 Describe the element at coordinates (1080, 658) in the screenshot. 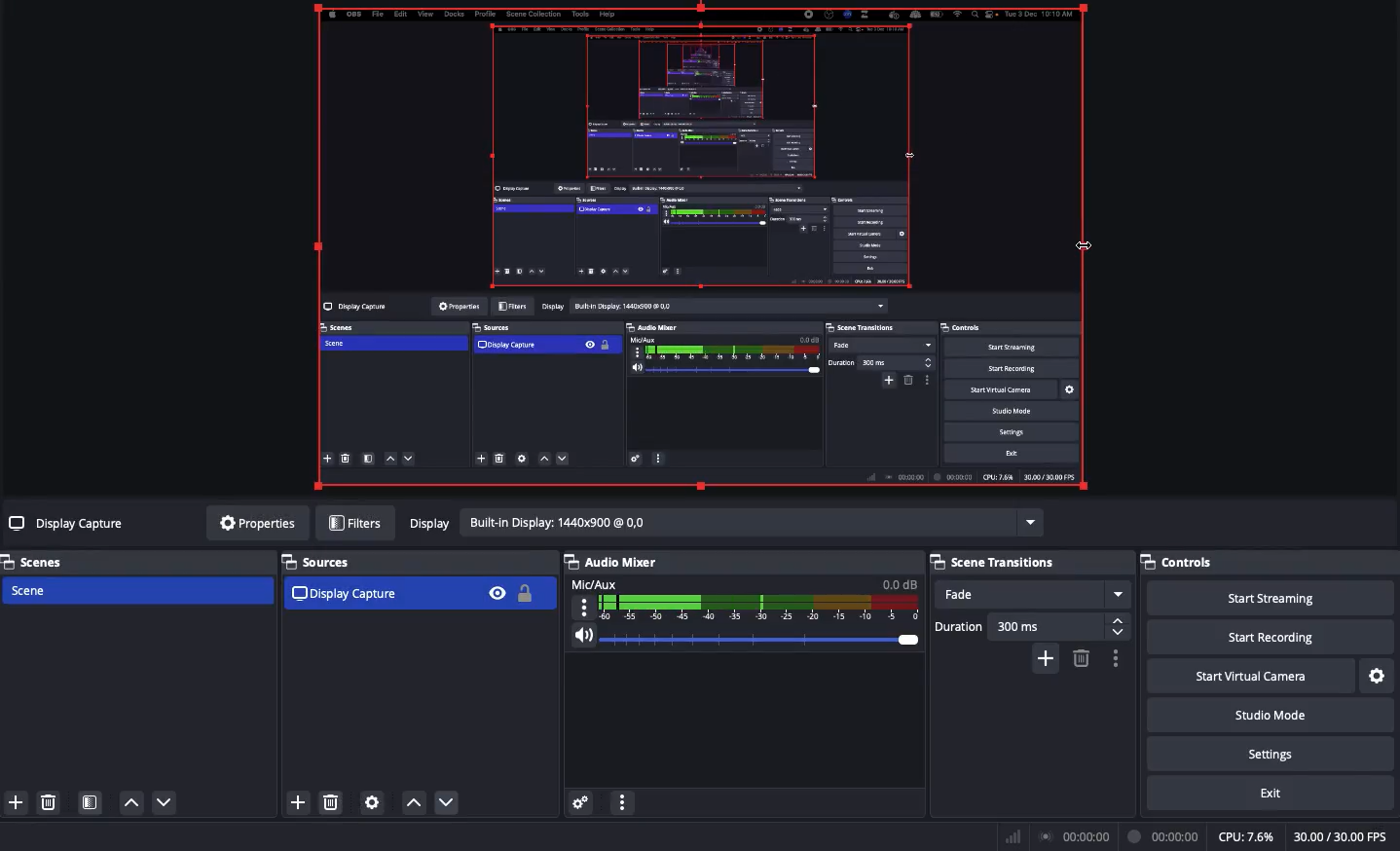

I see `Delete` at that location.